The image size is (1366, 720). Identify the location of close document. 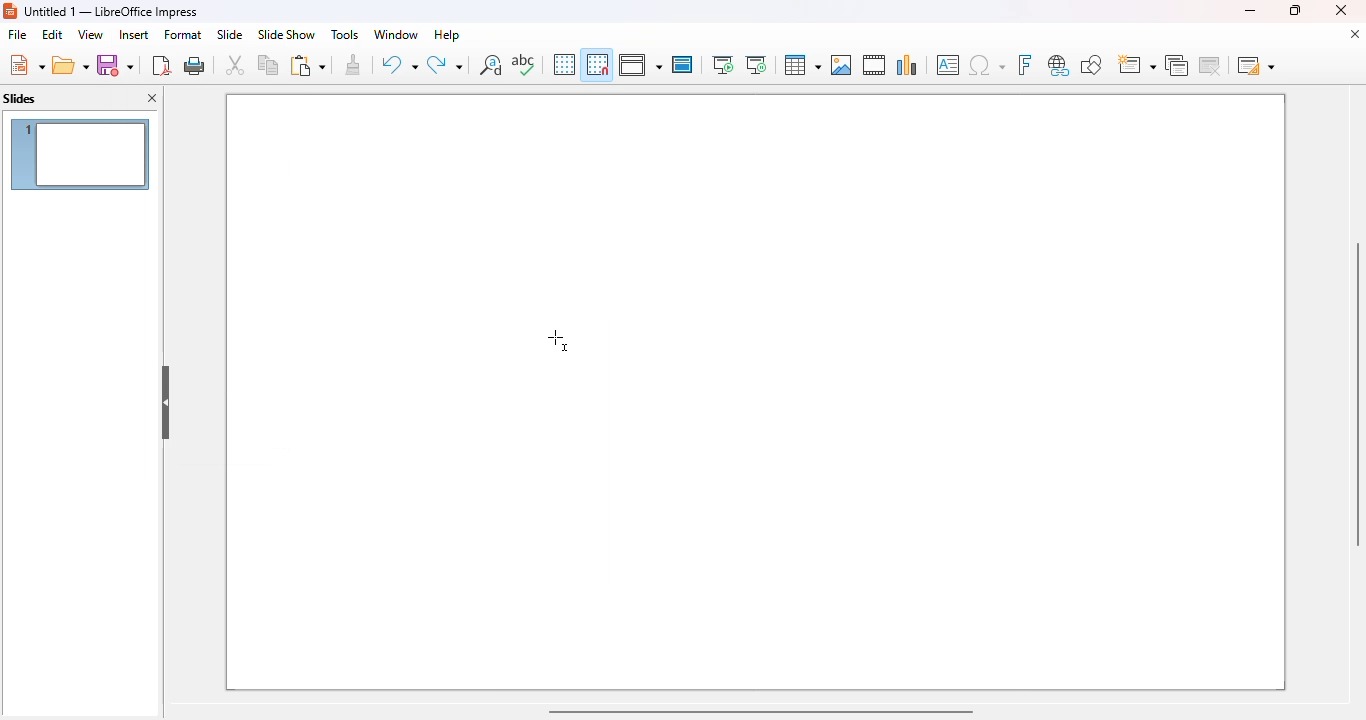
(1354, 34).